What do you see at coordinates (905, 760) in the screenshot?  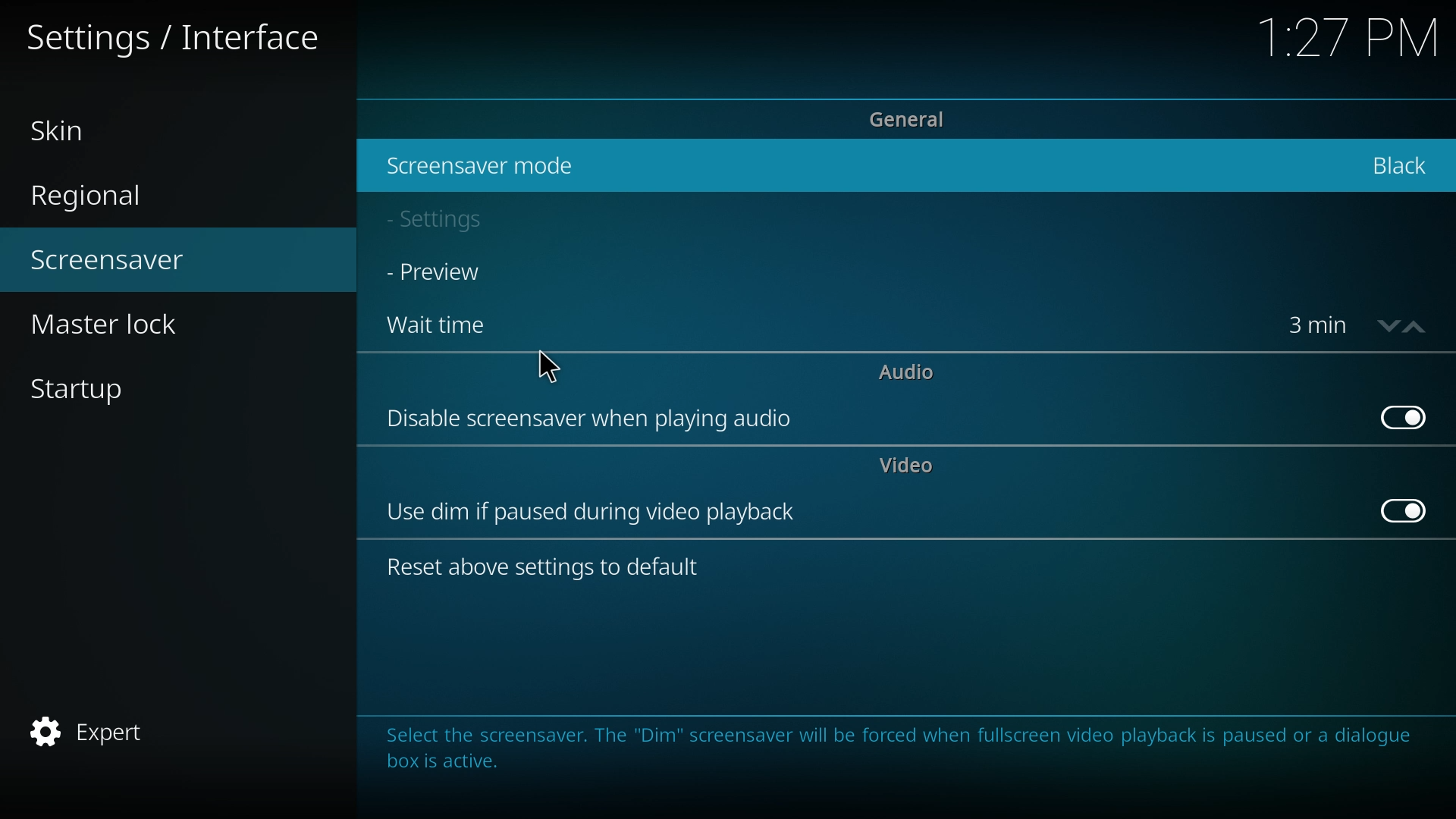 I see `info` at bounding box center [905, 760].